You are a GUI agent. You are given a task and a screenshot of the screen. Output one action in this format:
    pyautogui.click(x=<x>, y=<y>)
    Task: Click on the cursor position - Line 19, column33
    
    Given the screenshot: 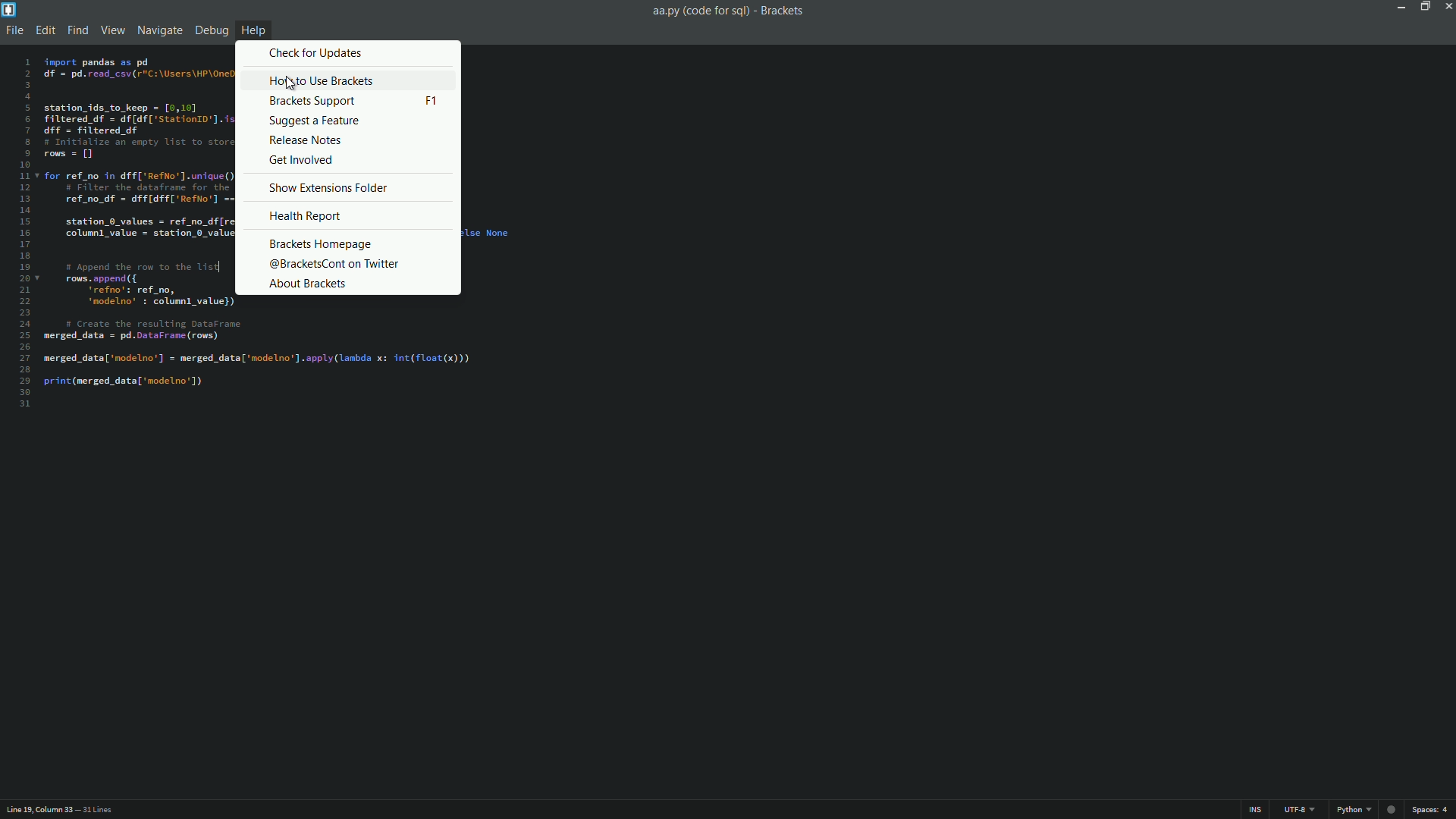 What is the action you would take?
    pyautogui.click(x=37, y=808)
    